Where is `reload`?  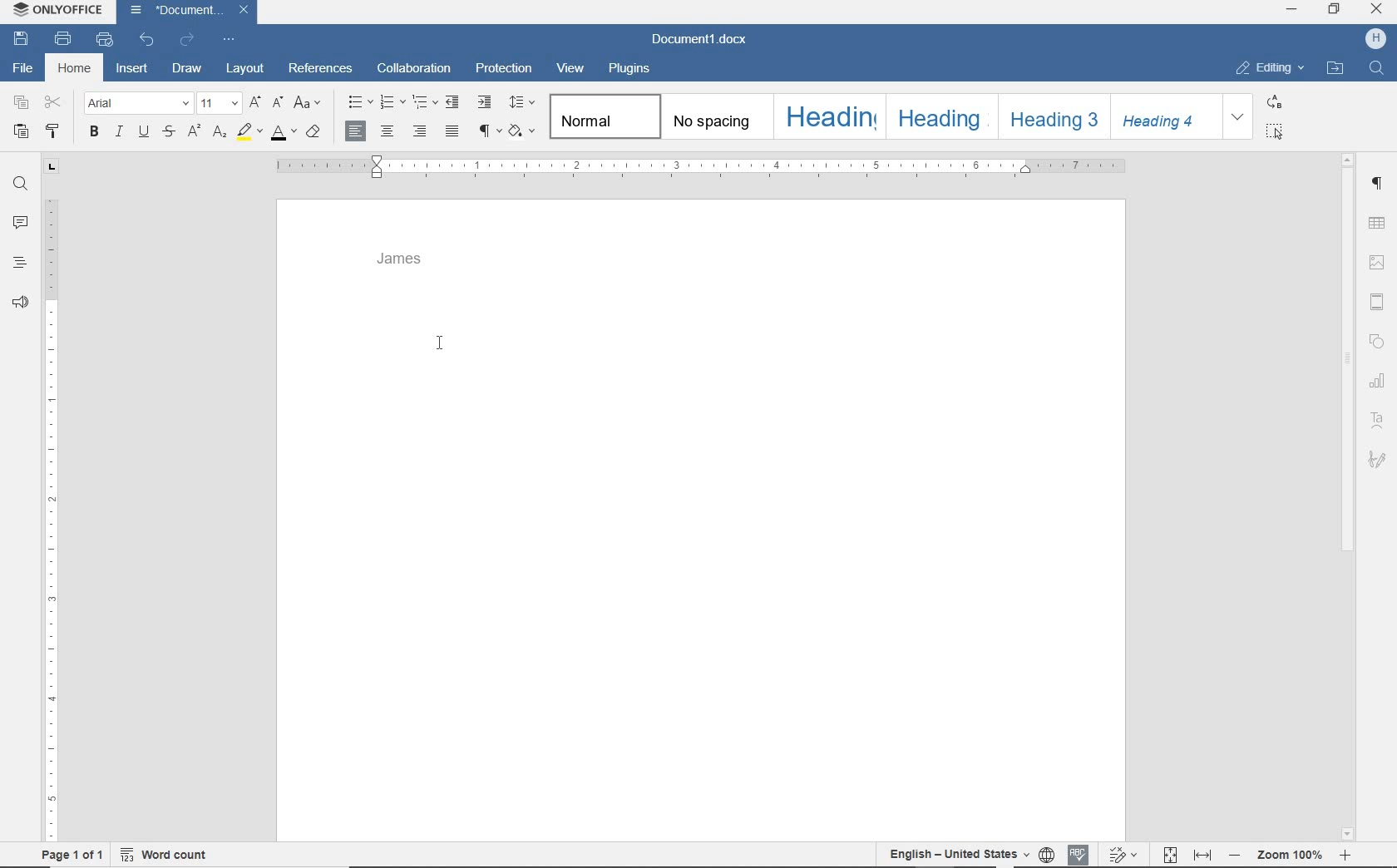 reload is located at coordinates (188, 37).